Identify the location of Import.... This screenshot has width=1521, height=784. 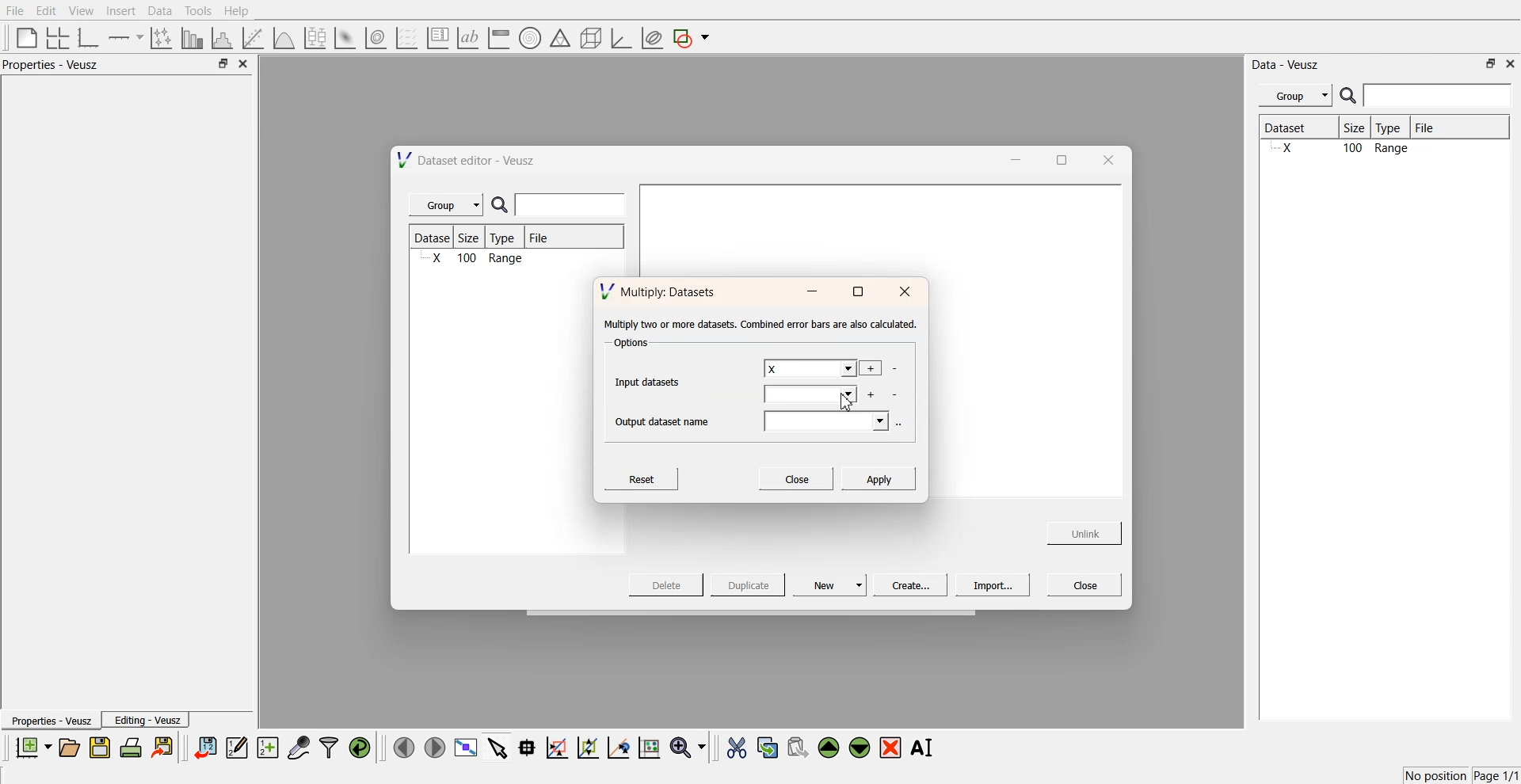
(993, 585).